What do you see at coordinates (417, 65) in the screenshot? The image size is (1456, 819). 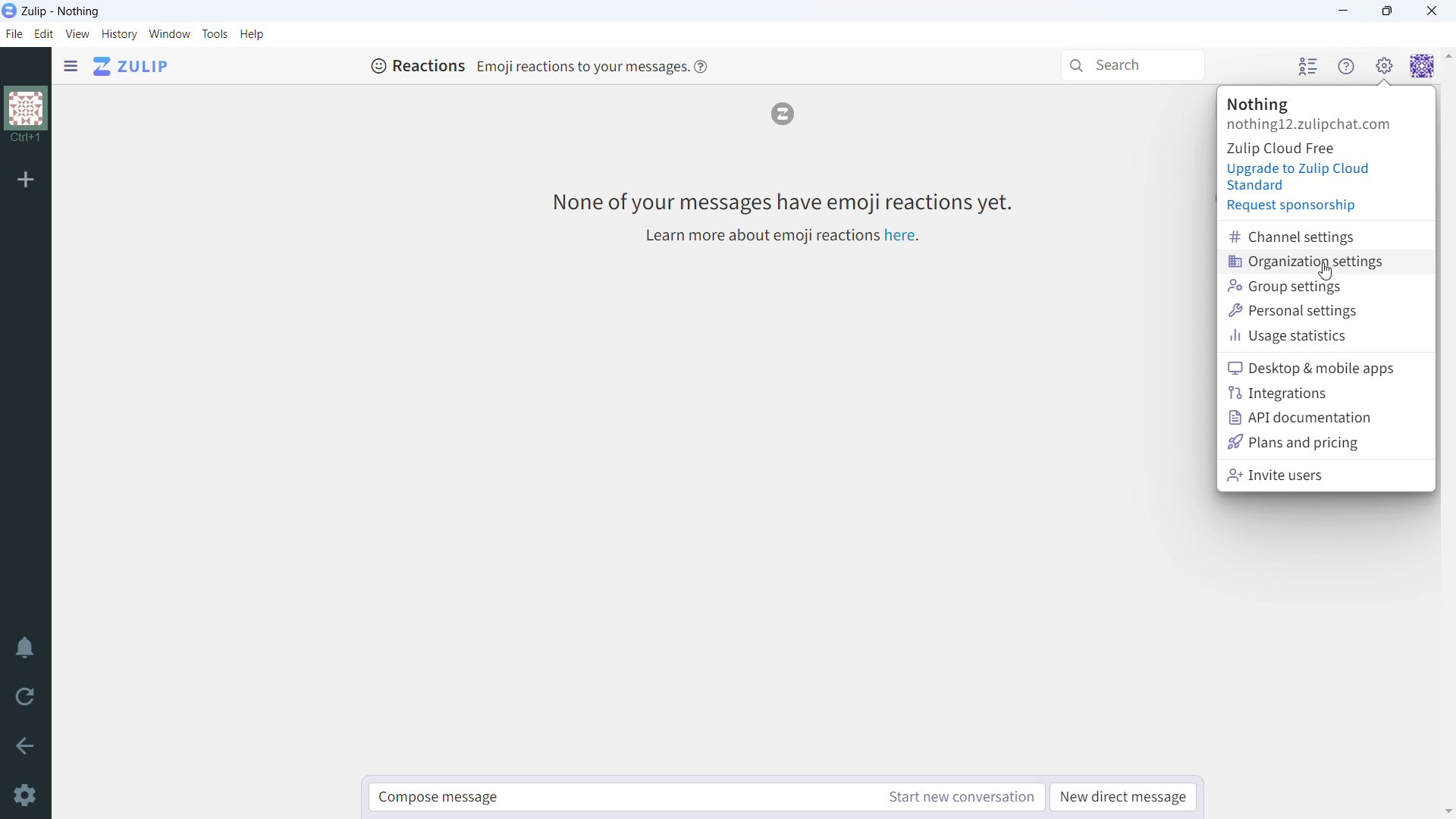 I see `Reactions` at bounding box center [417, 65].